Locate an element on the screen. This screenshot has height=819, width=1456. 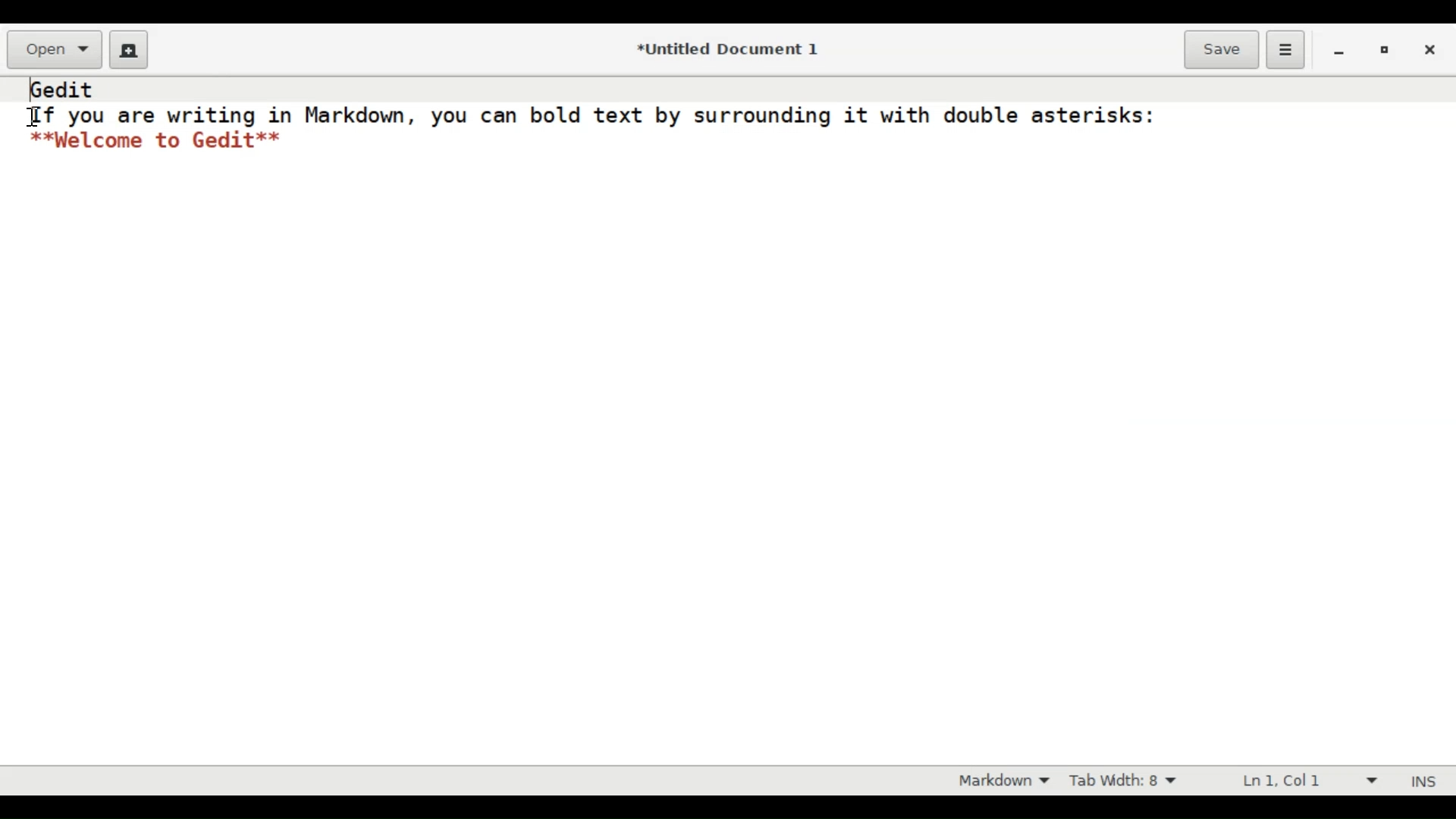
gedit is located at coordinates (64, 89).